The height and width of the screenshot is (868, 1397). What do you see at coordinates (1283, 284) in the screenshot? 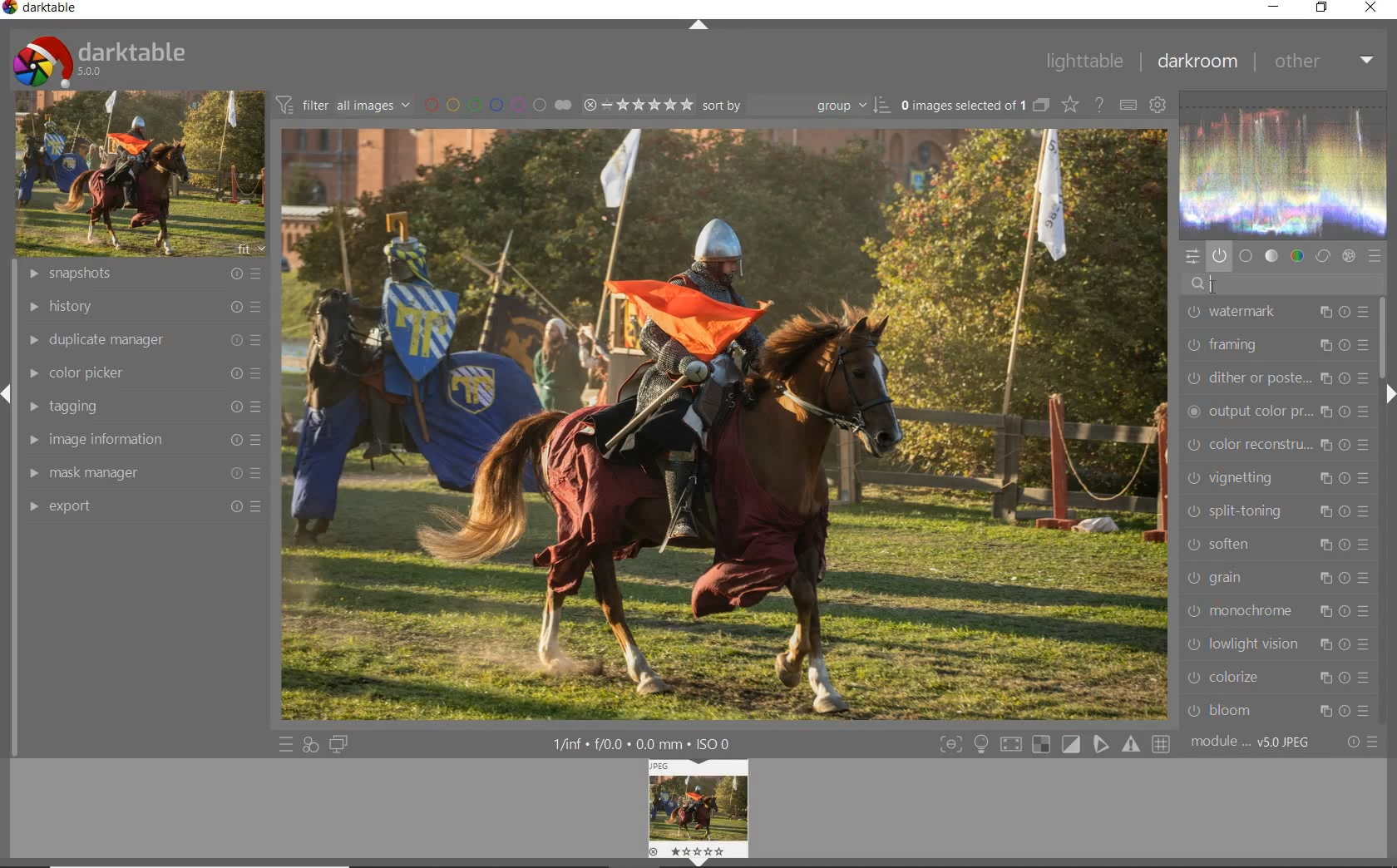
I see `search modules` at bounding box center [1283, 284].